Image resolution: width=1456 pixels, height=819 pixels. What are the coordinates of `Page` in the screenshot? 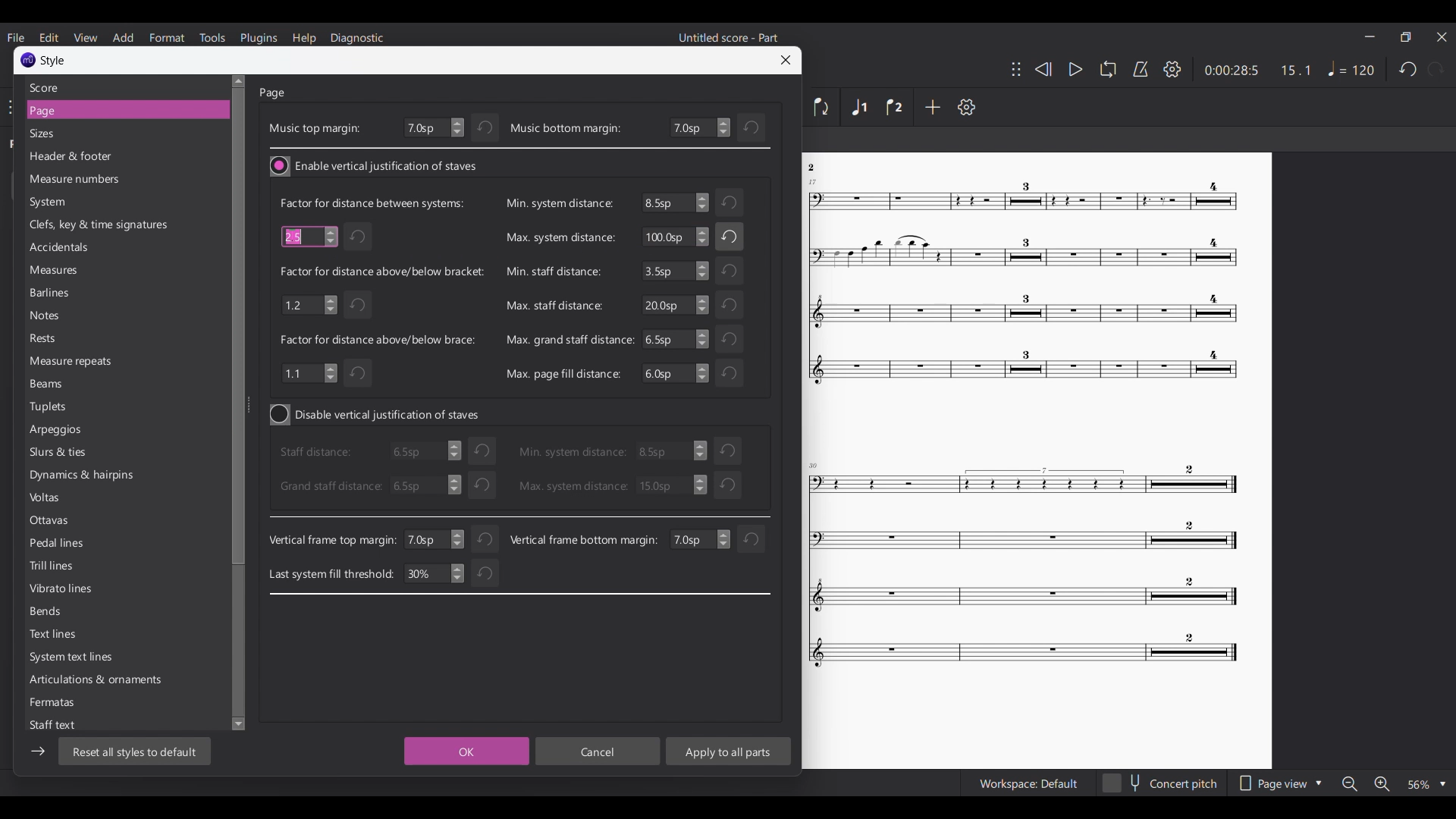 It's located at (117, 111).